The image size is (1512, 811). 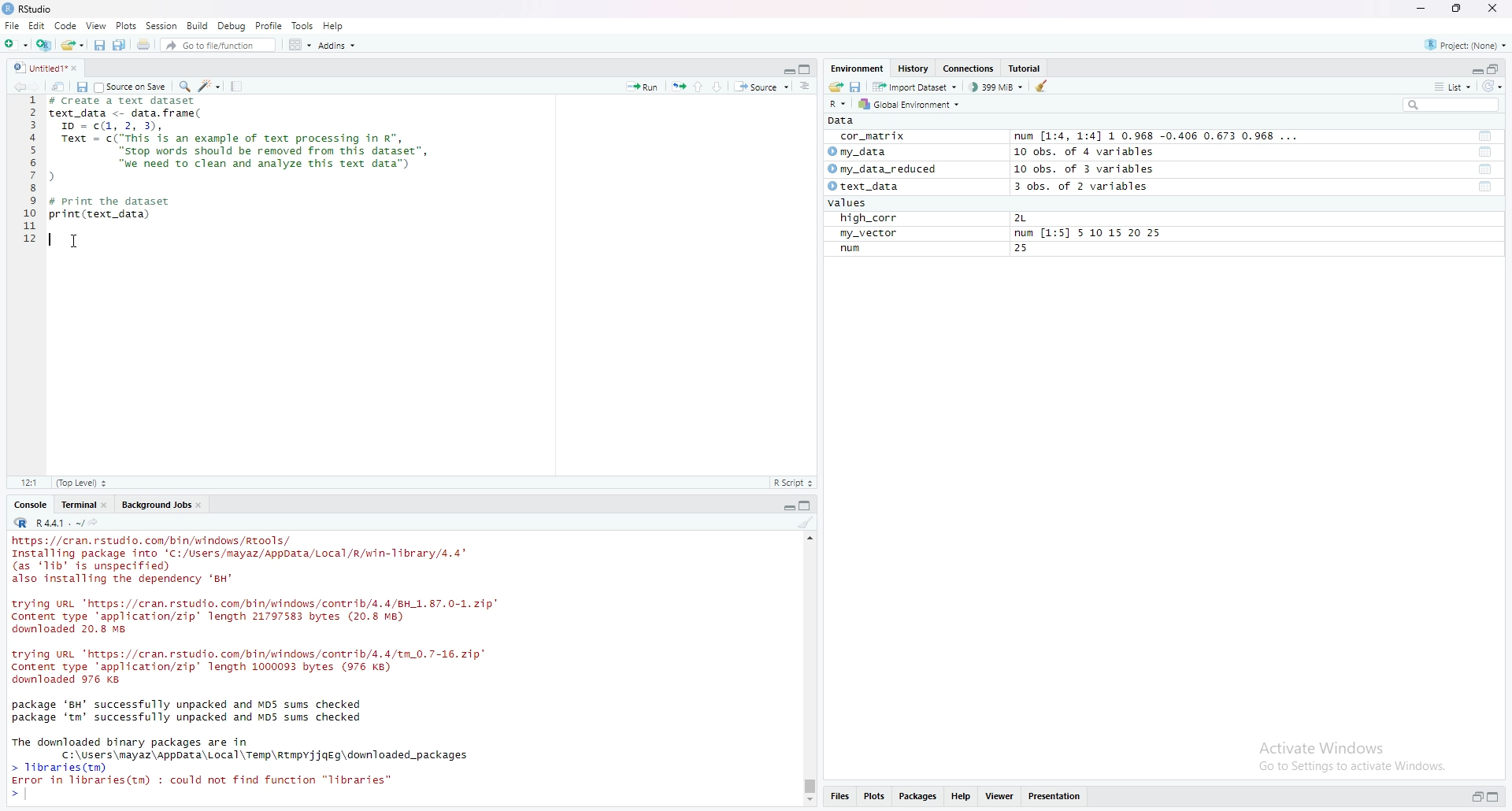 I want to click on import dataset, so click(x=916, y=87).